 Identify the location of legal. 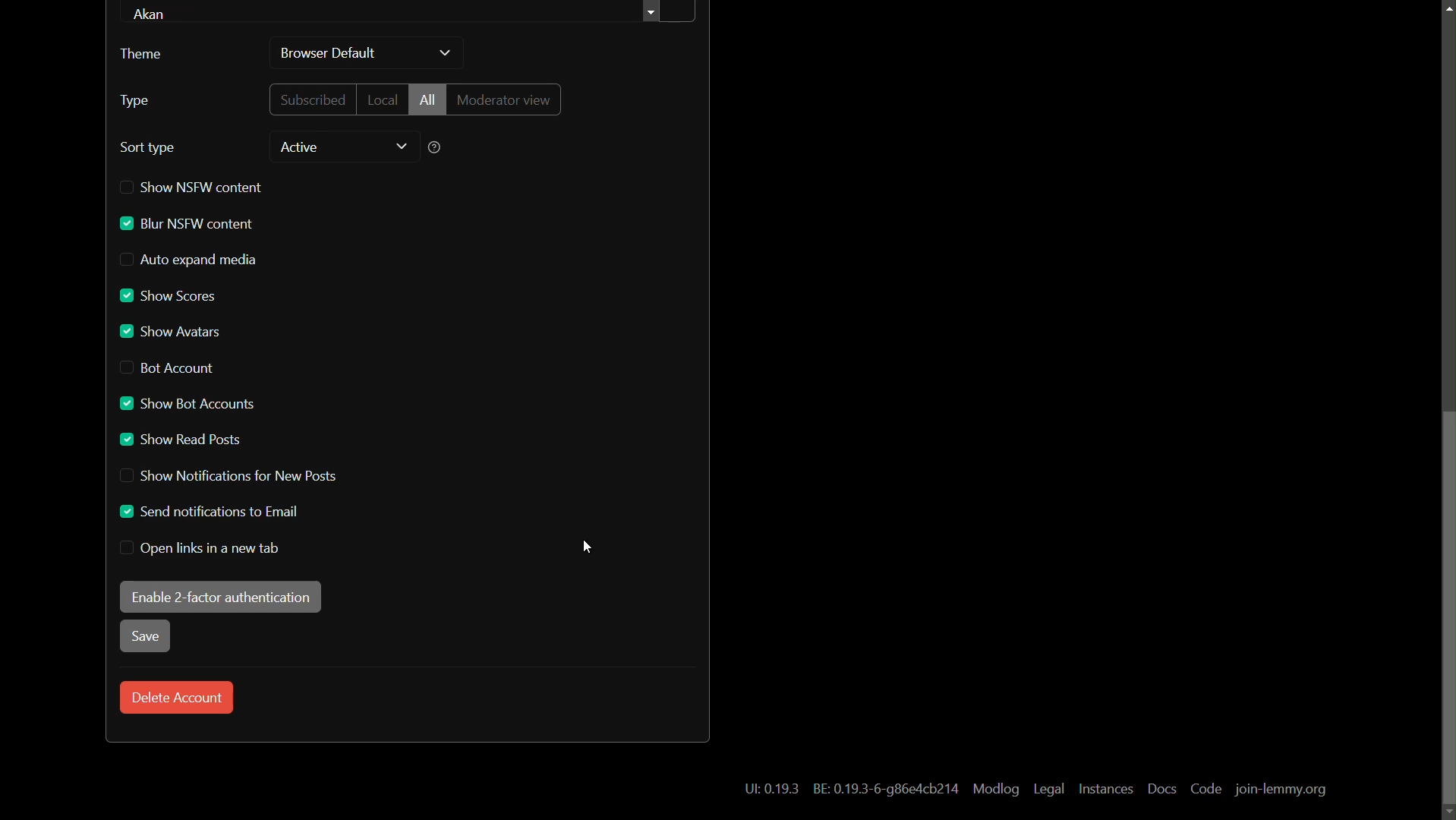
(1050, 790).